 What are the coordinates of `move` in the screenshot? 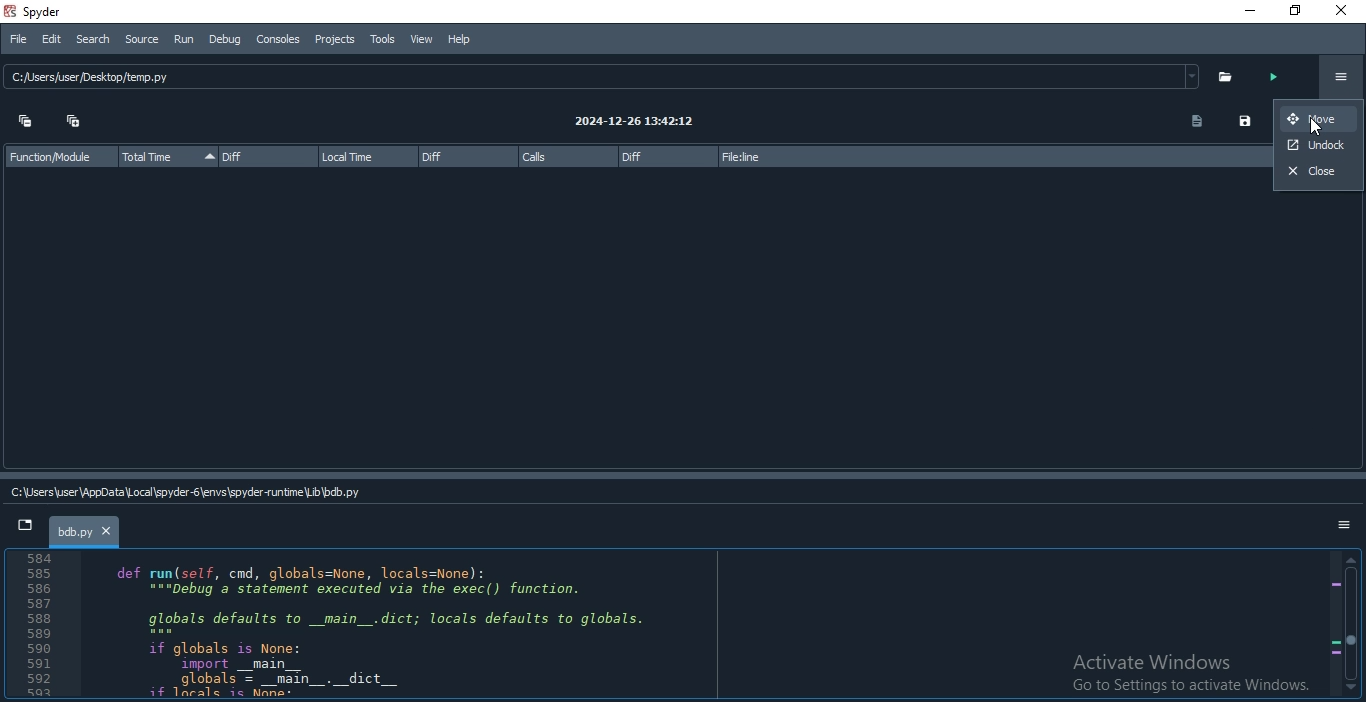 It's located at (1318, 120).